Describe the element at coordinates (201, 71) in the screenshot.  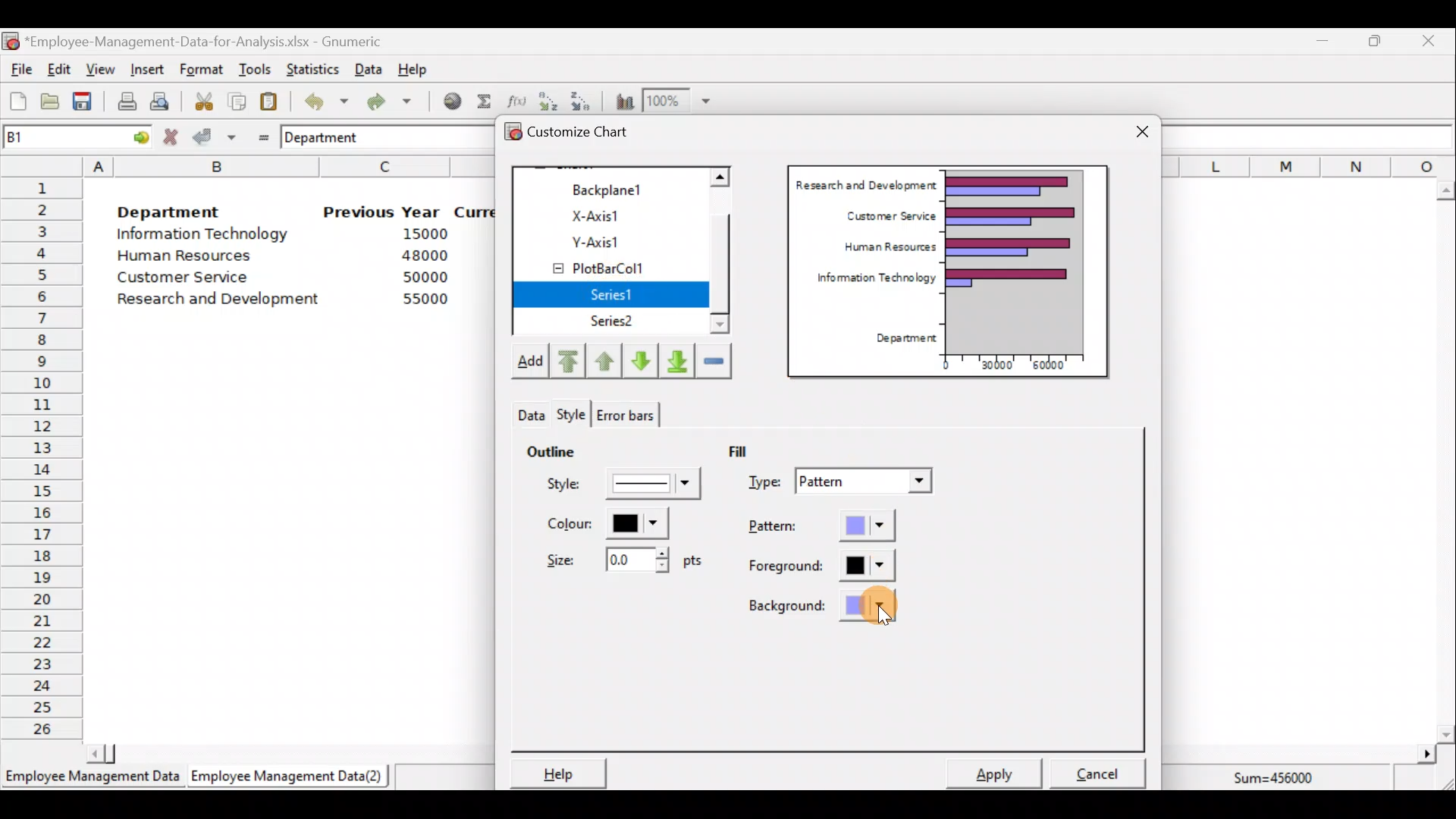
I see `Format` at that location.